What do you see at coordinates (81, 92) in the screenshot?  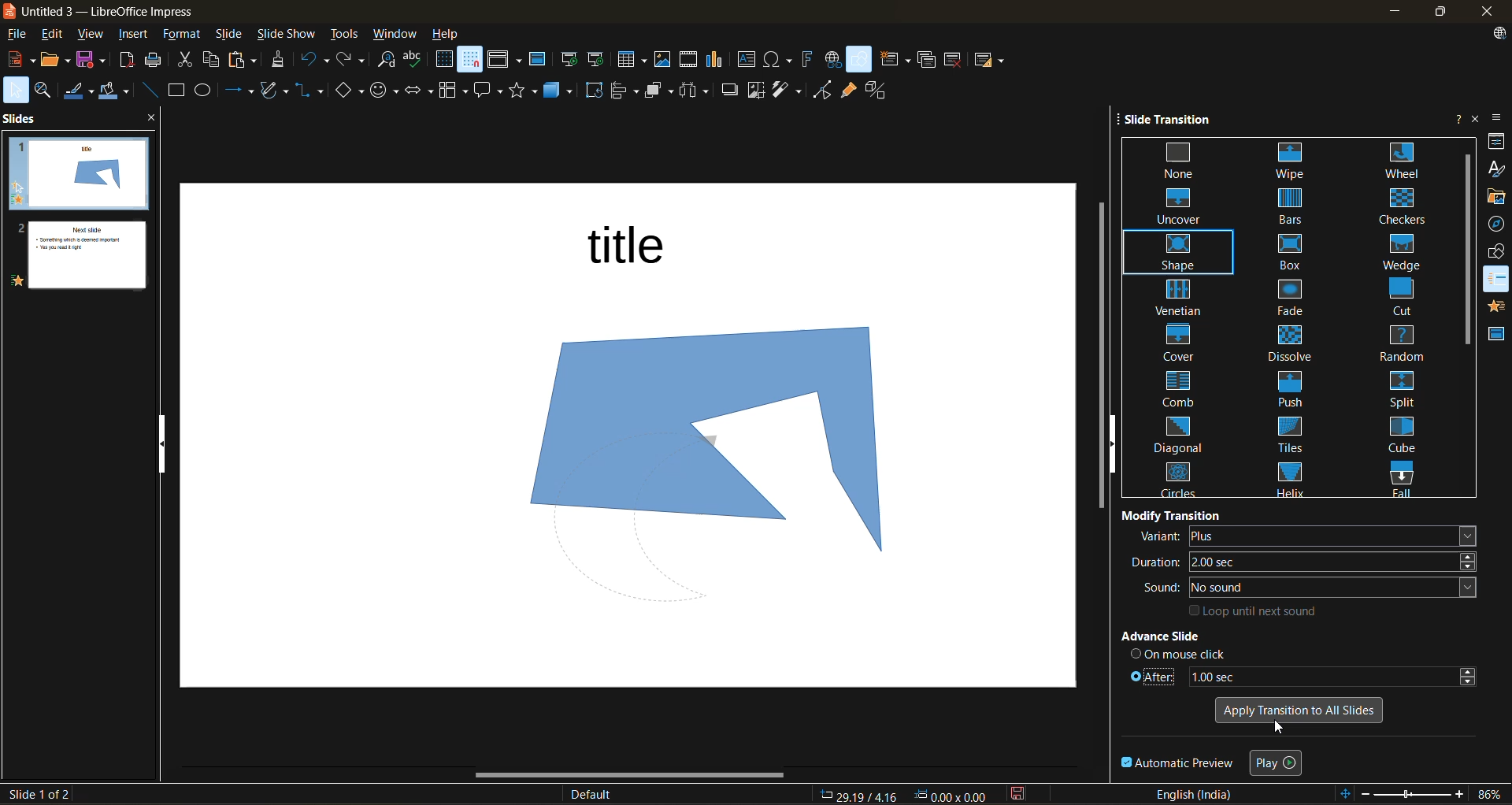 I see `line color` at bounding box center [81, 92].